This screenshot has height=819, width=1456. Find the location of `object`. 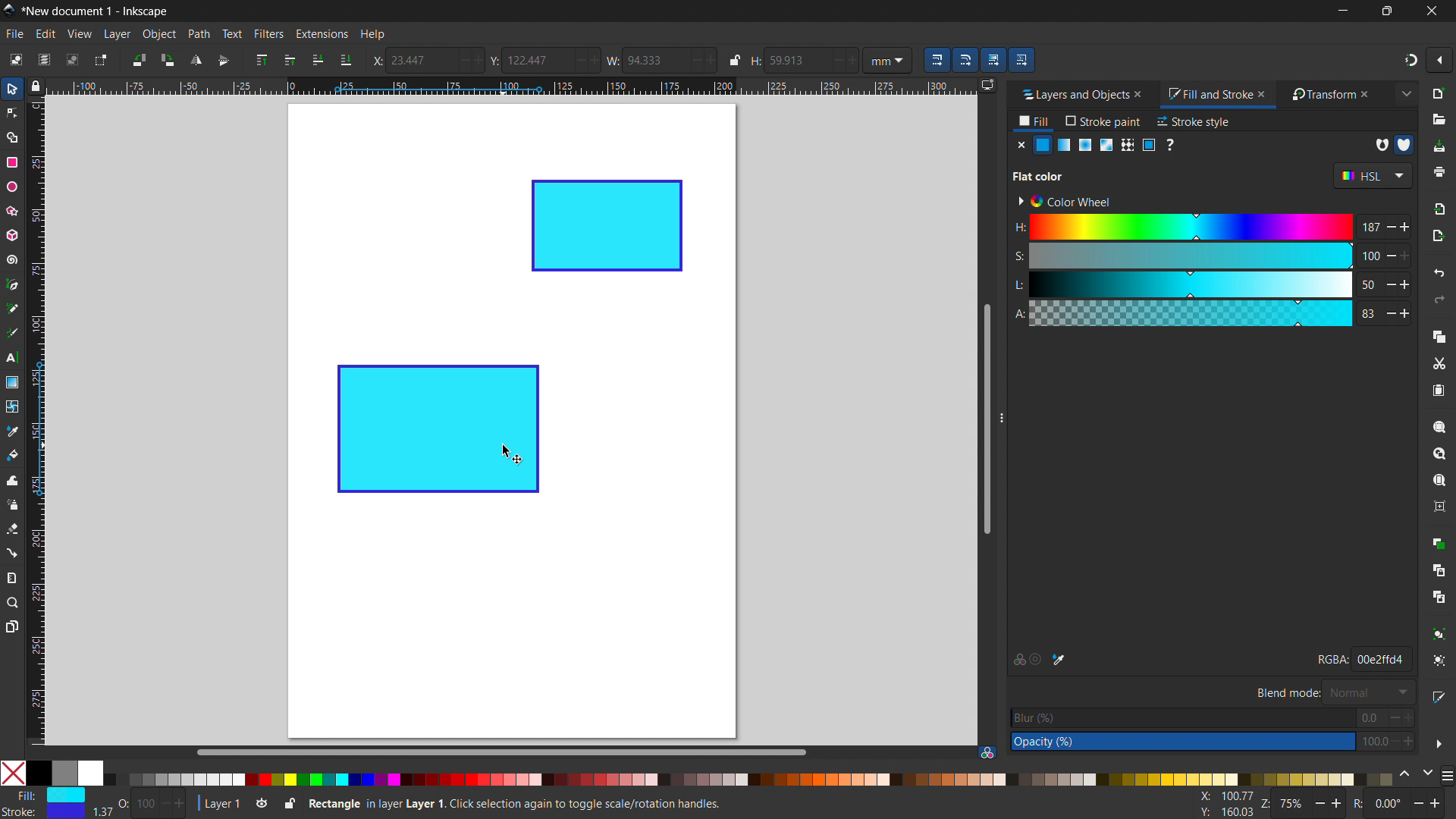

object is located at coordinates (159, 34).